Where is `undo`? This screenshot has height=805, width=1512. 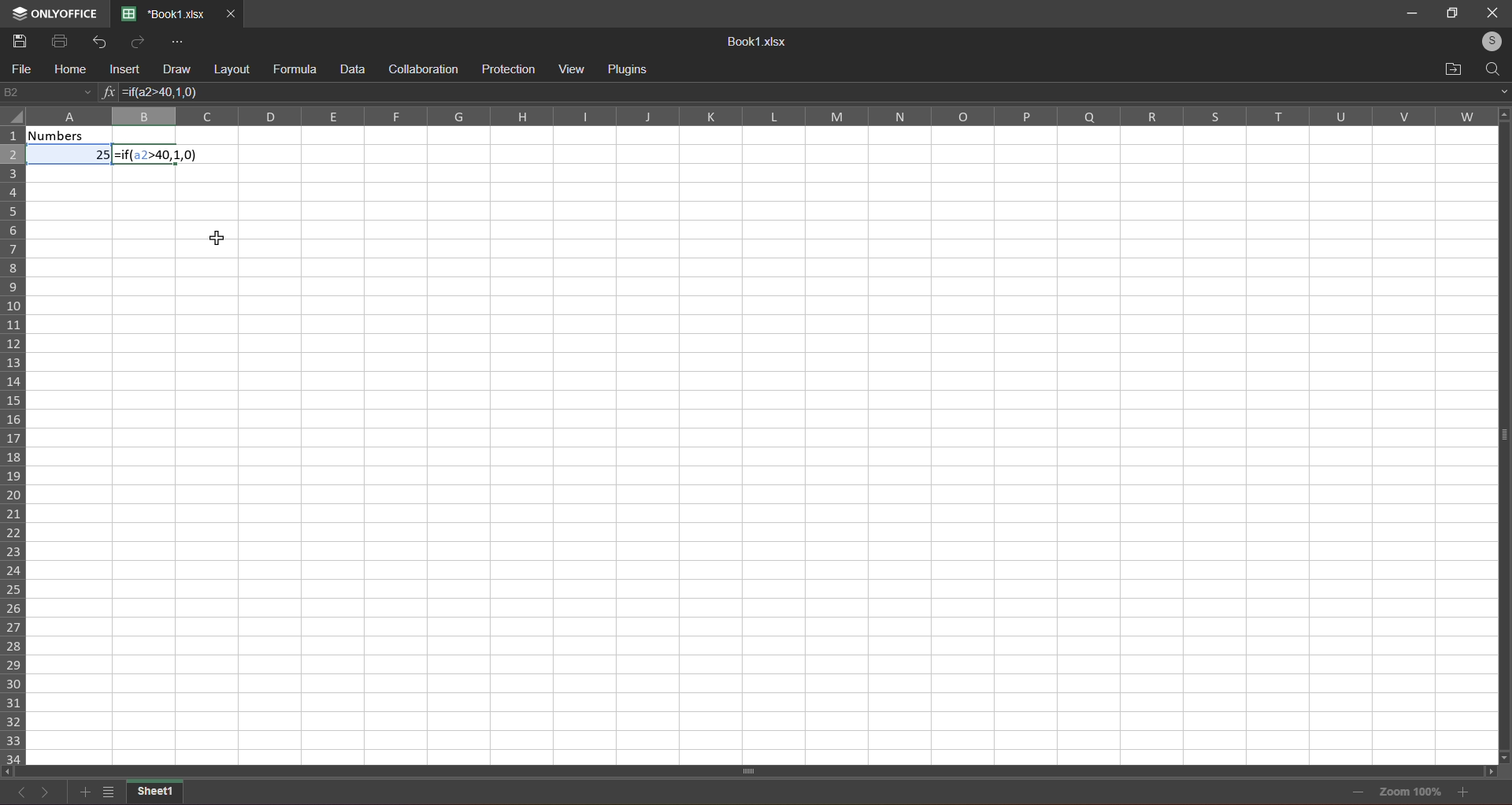 undo is located at coordinates (95, 40).